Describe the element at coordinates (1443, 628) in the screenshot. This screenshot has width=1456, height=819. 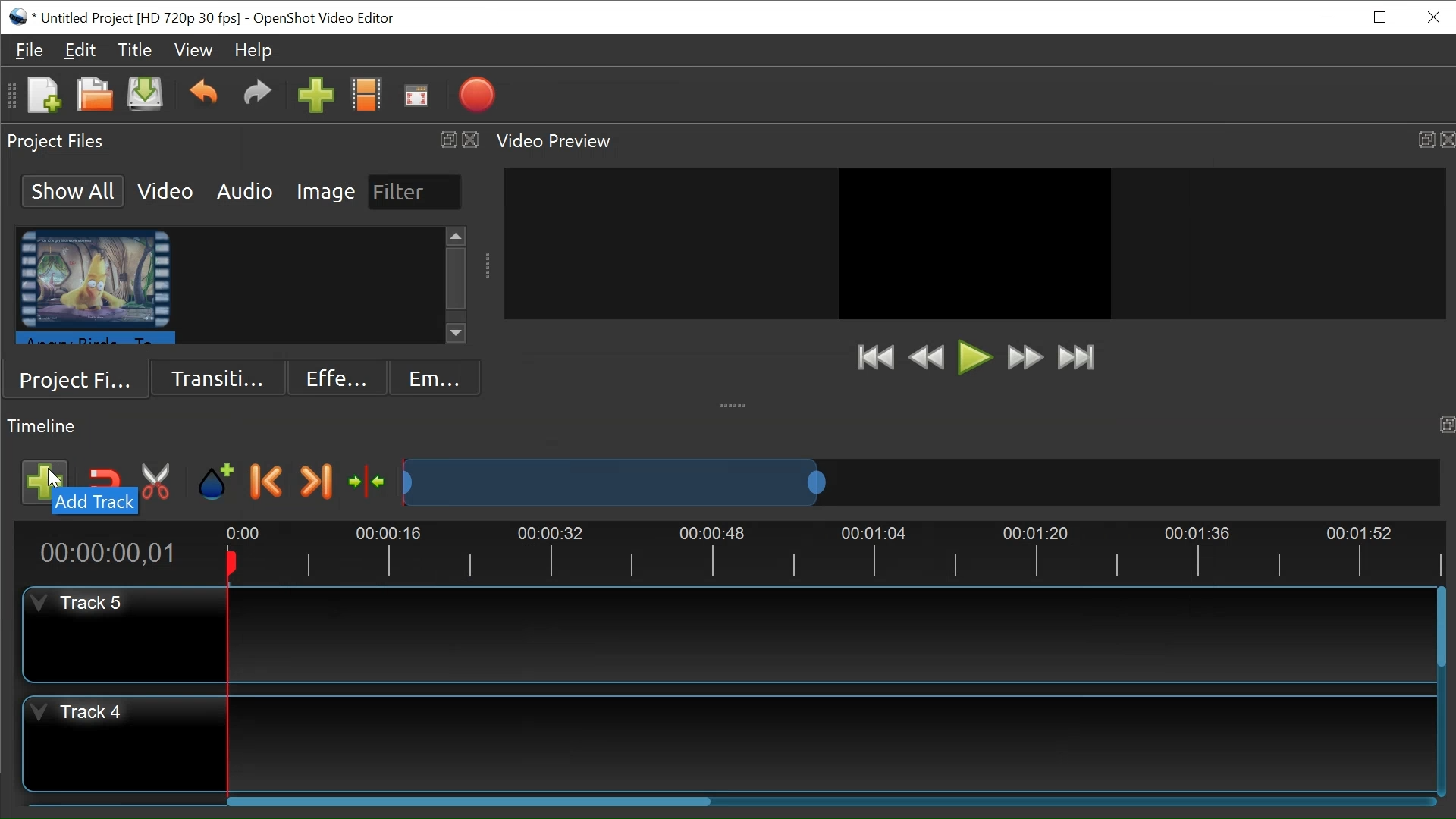
I see `Vertical Scrollbar` at that location.